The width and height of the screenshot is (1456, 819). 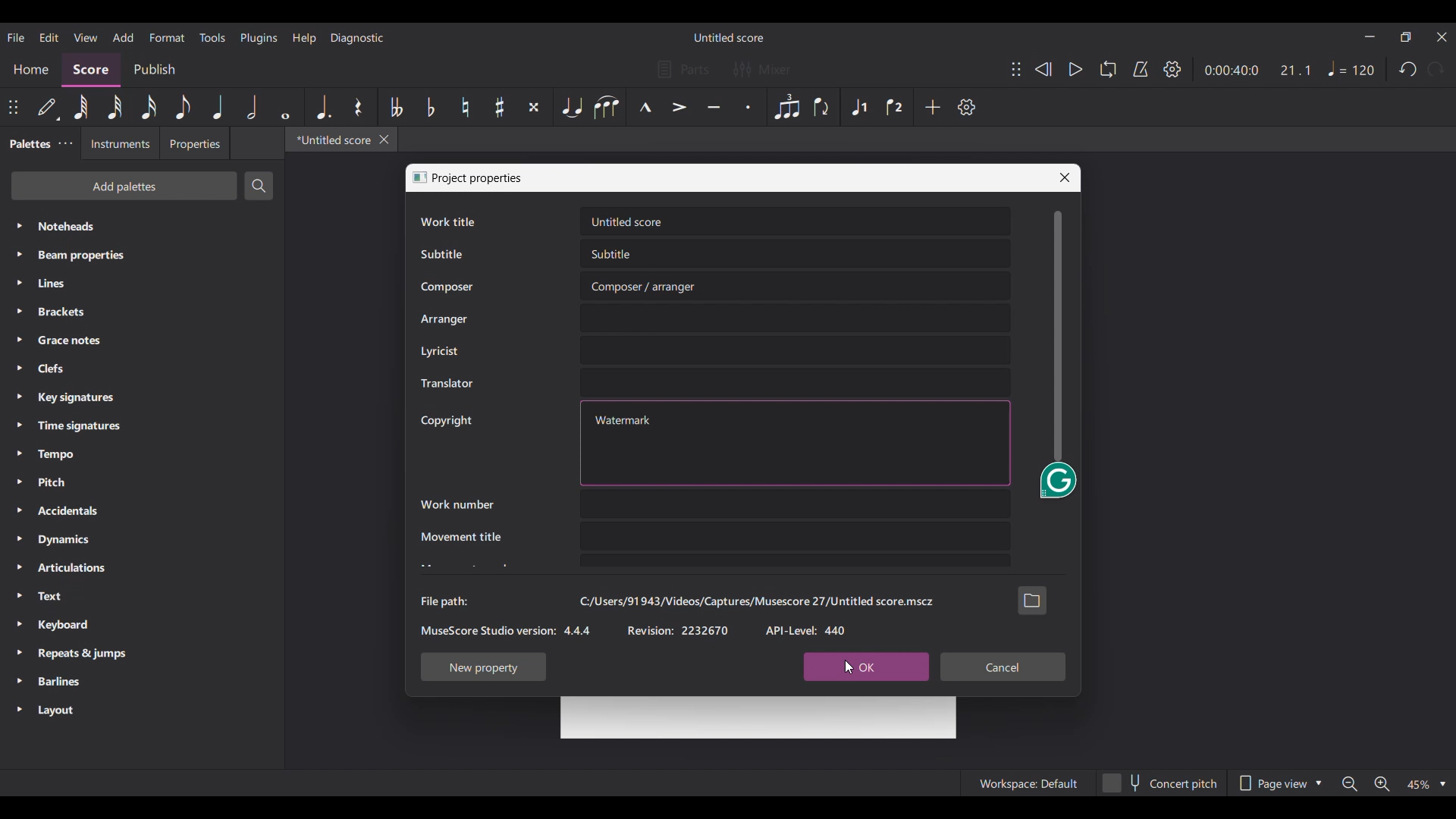 What do you see at coordinates (1059, 336) in the screenshot?
I see `Vertical slide bar` at bounding box center [1059, 336].